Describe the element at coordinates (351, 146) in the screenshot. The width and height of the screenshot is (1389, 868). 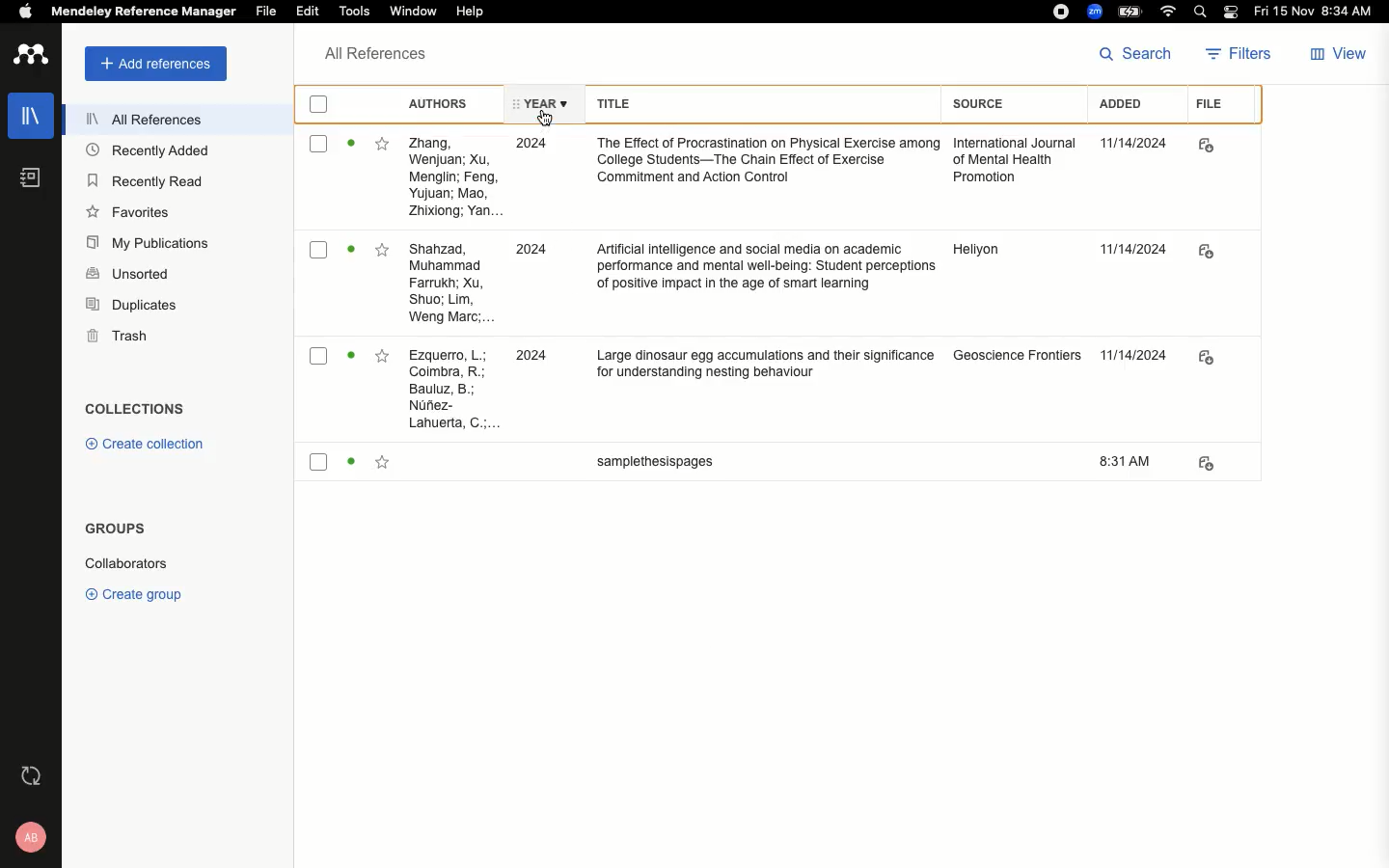
I see `view status` at that location.